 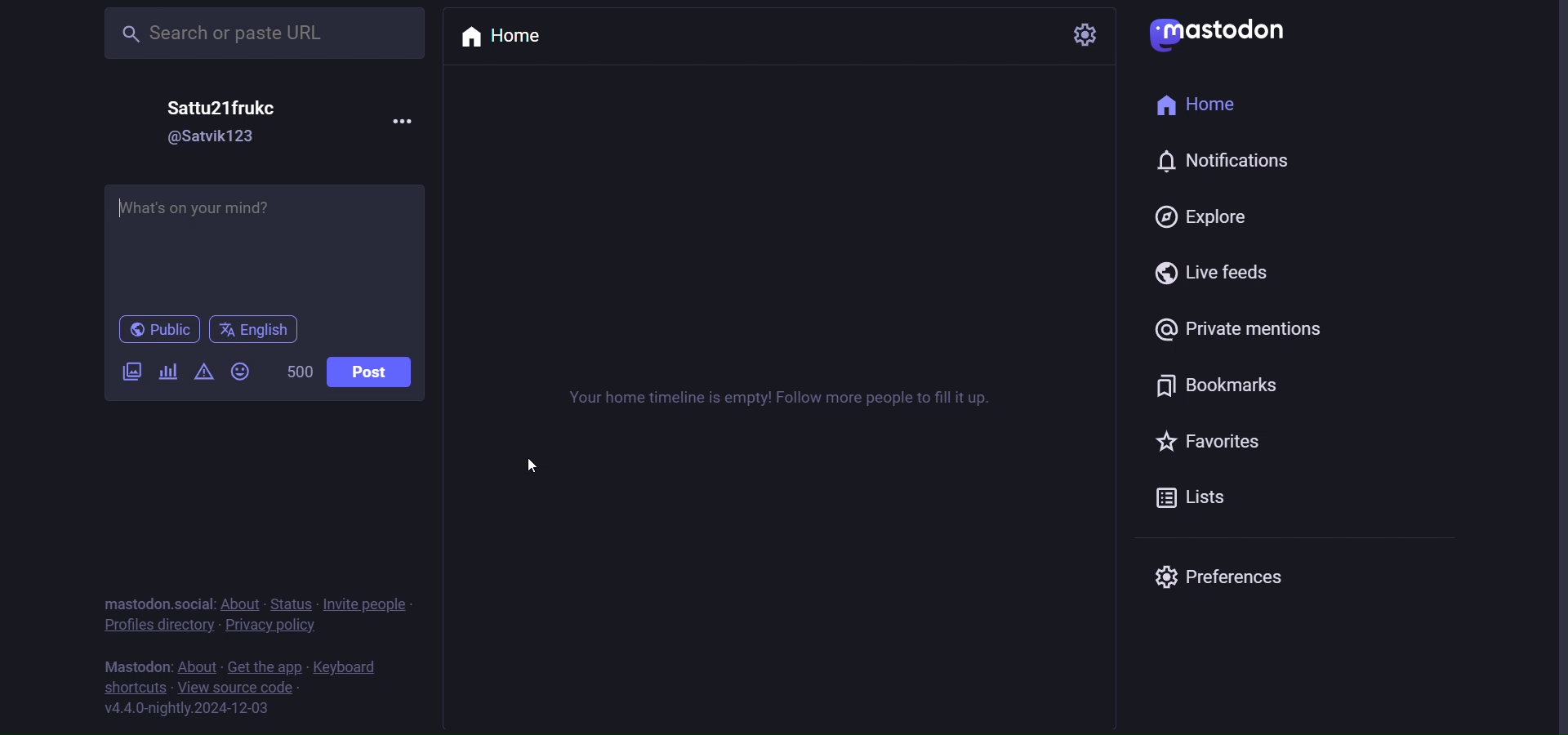 What do you see at coordinates (372, 374) in the screenshot?
I see `post` at bounding box center [372, 374].